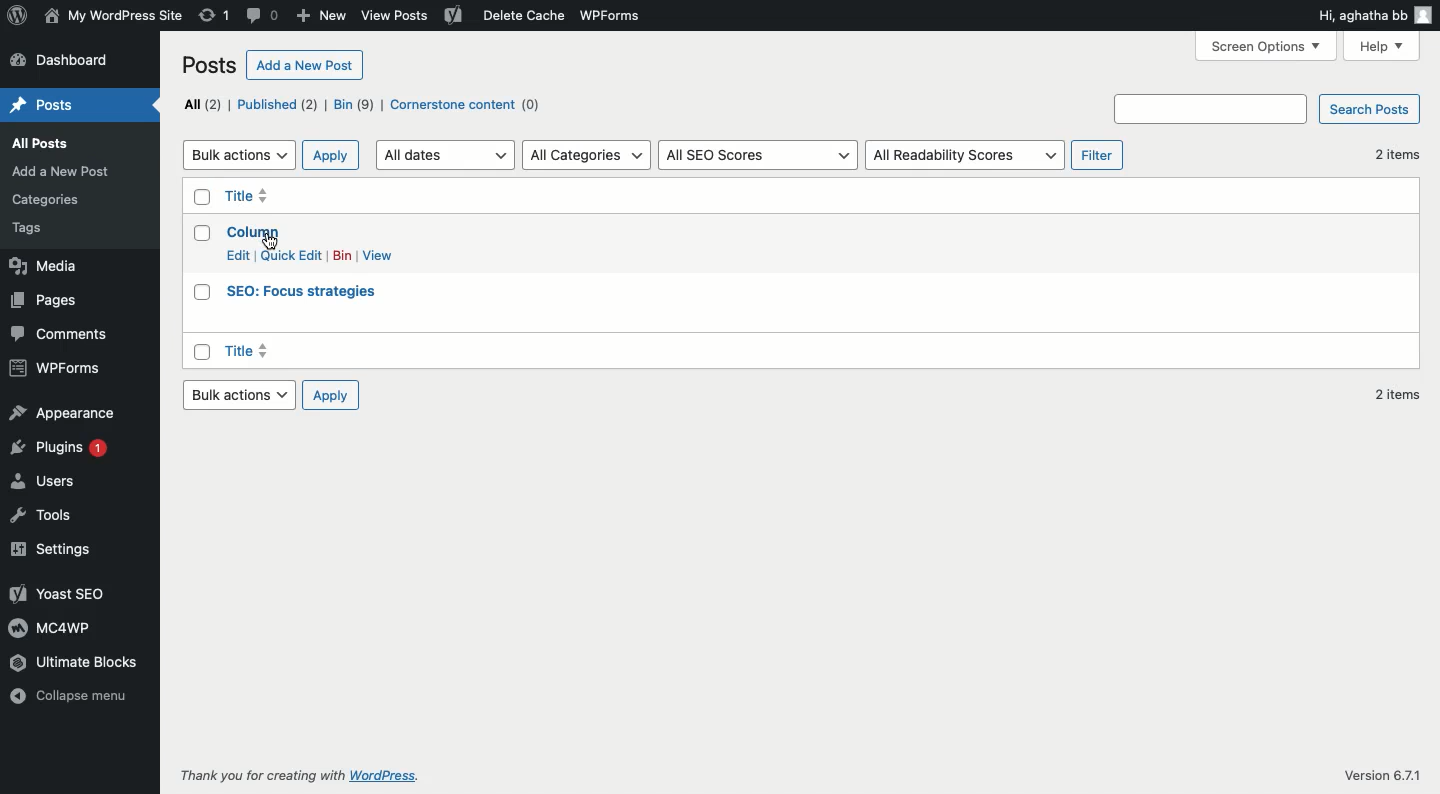 This screenshot has height=794, width=1440. What do you see at coordinates (238, 256) in the screenshot?
I see `Edit` at bounding box center [238, 256].